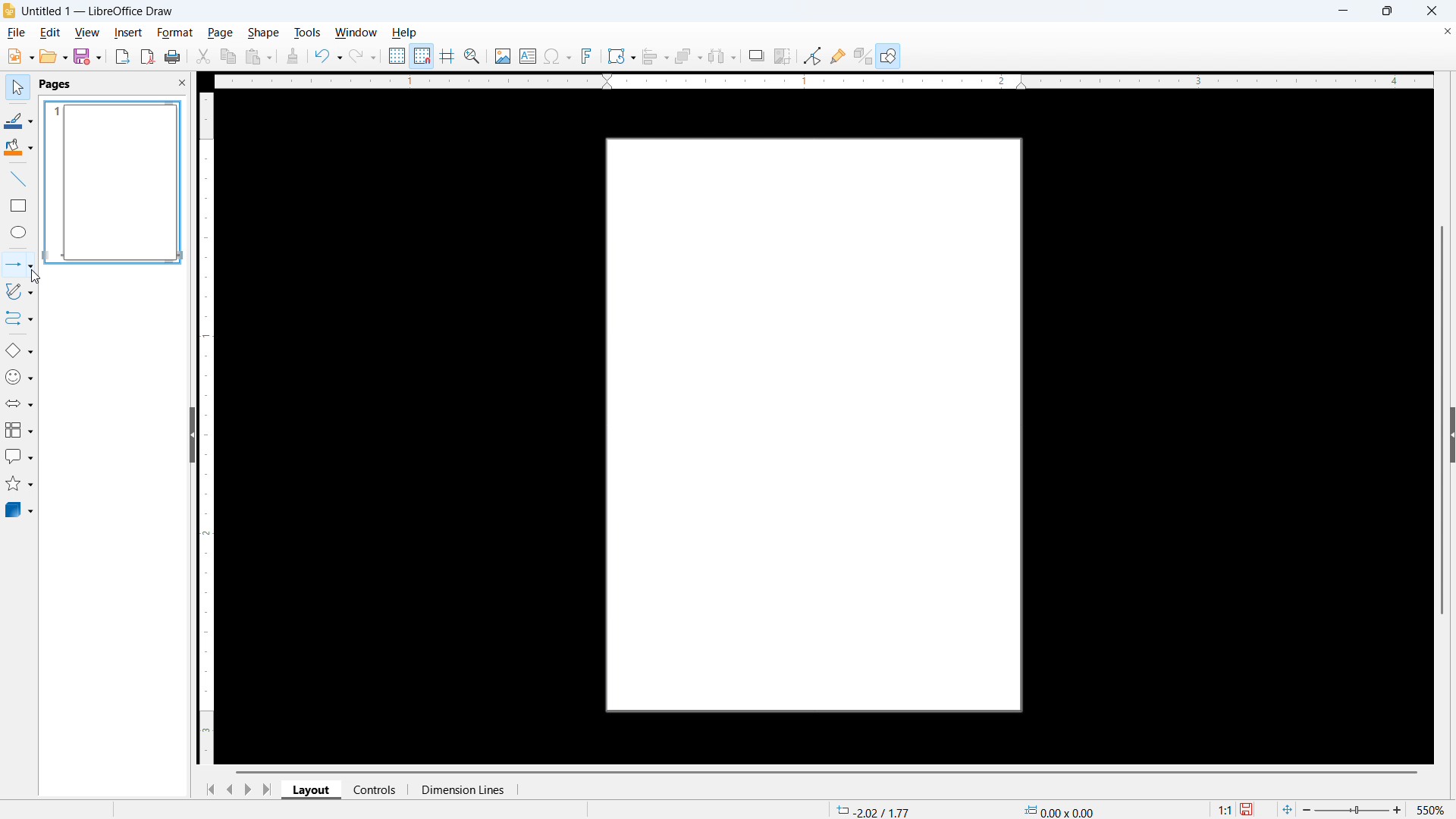 This screenshot has width=1456, height=819. I want to click on minimise , so click(1342, 11).